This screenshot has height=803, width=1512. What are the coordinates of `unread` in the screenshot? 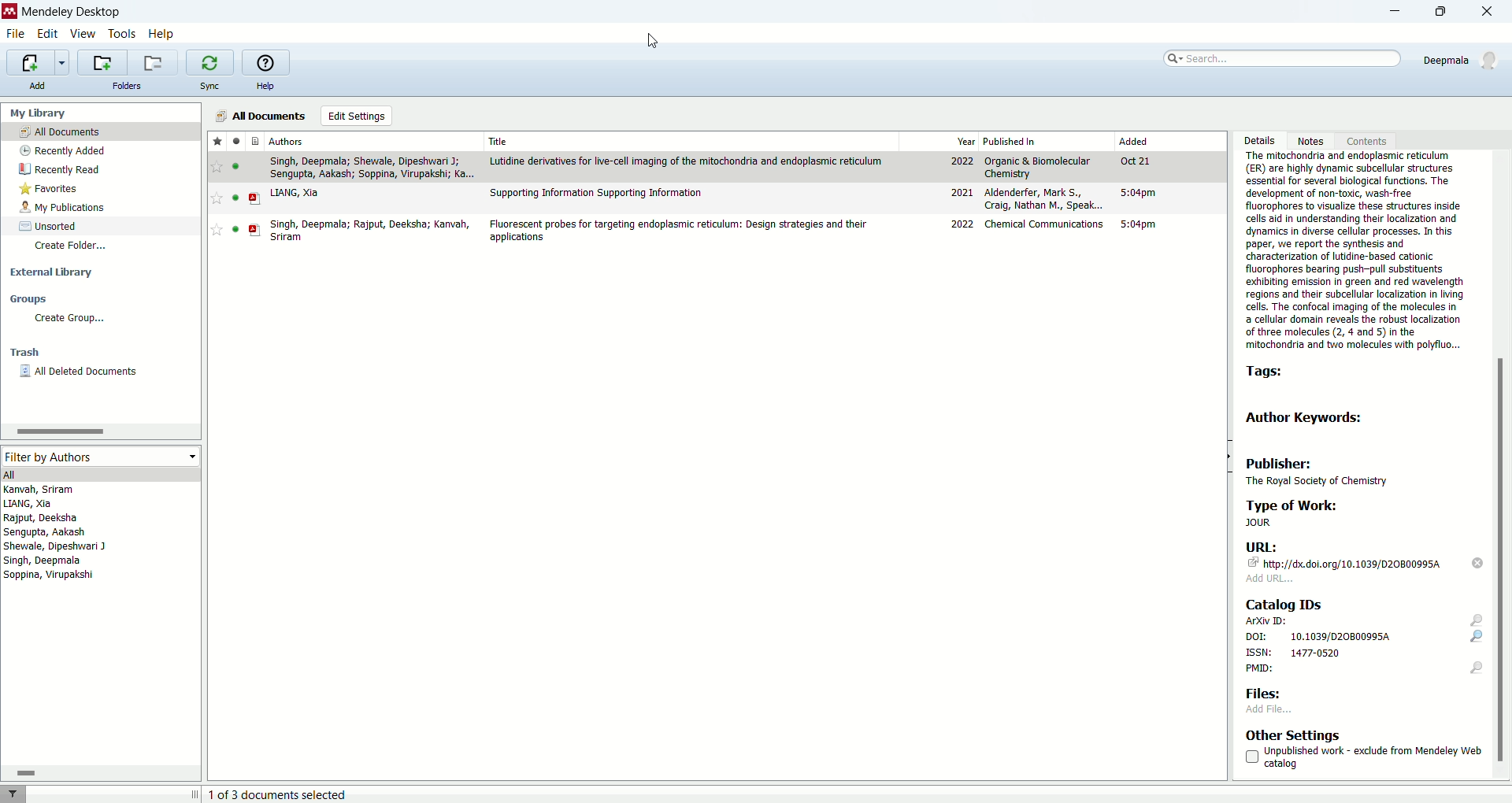 It's located at (235, 229).